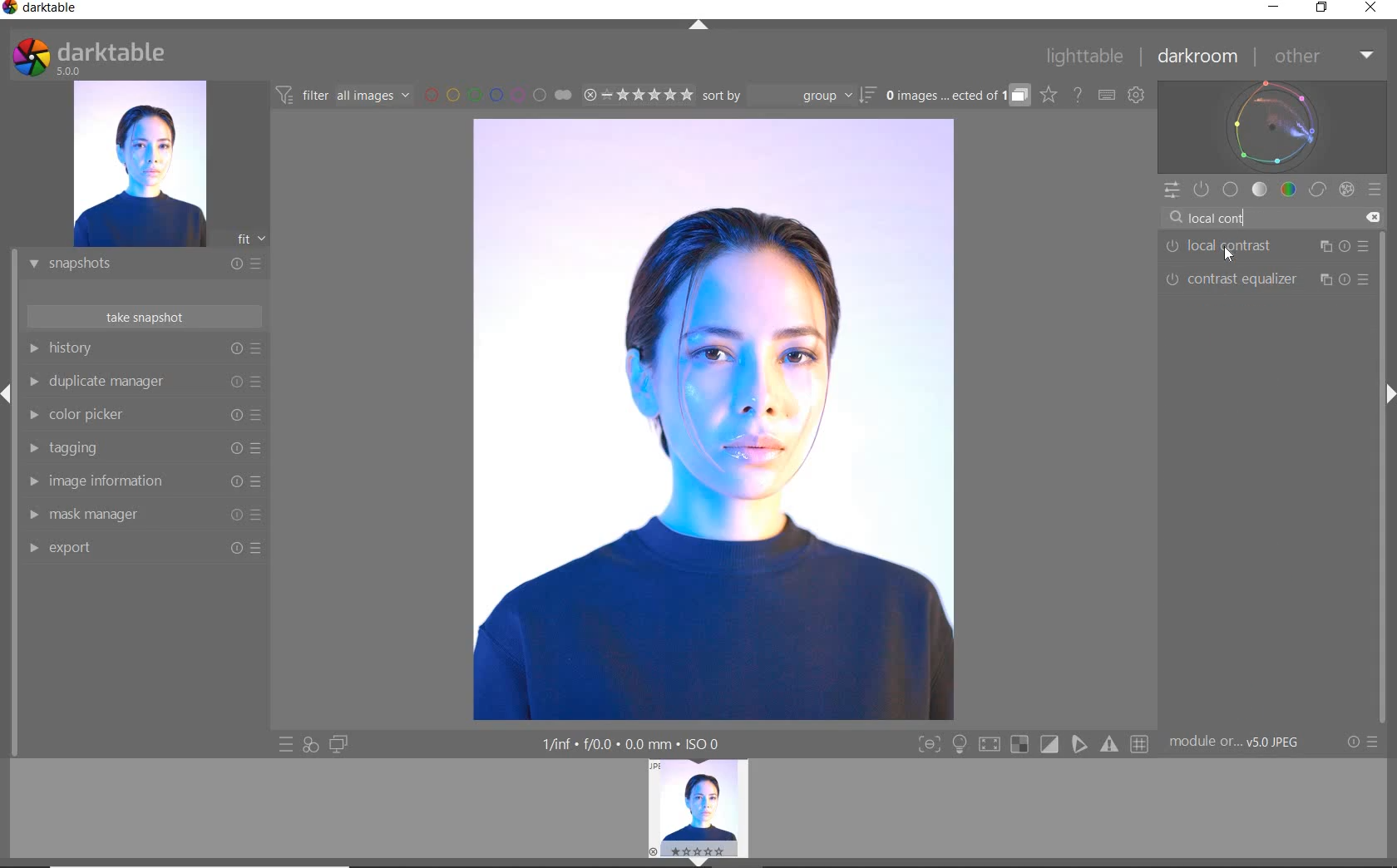 This screenshot has width=1397, height=868. Describe the element at coordinates (1265, 312) in the screenshot. I see `VIGNETTING` at that location.